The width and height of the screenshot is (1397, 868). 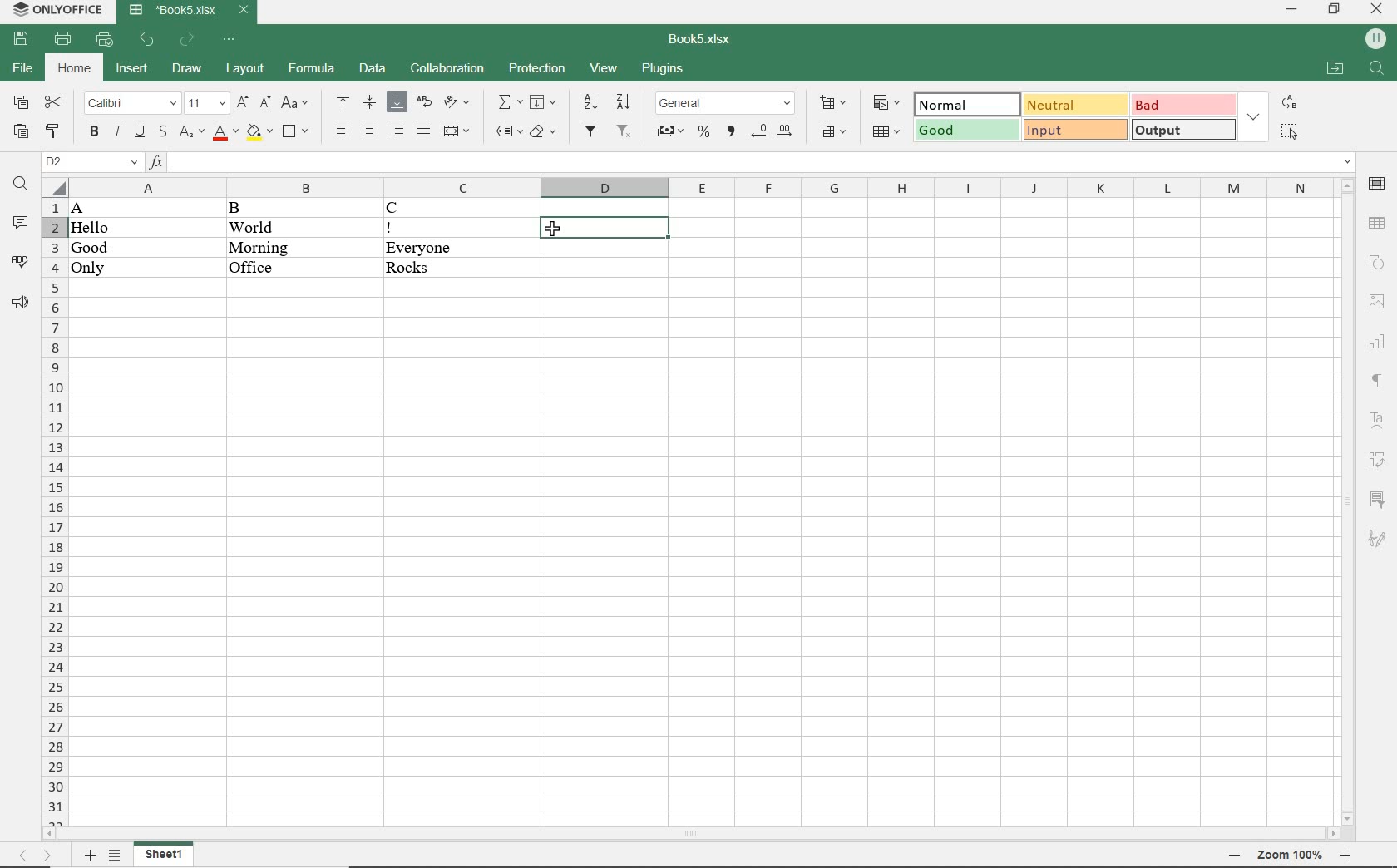 What do you see at coordinates (130, 104) in the screenshot?
I see `font` at bounding box center [130, 104].